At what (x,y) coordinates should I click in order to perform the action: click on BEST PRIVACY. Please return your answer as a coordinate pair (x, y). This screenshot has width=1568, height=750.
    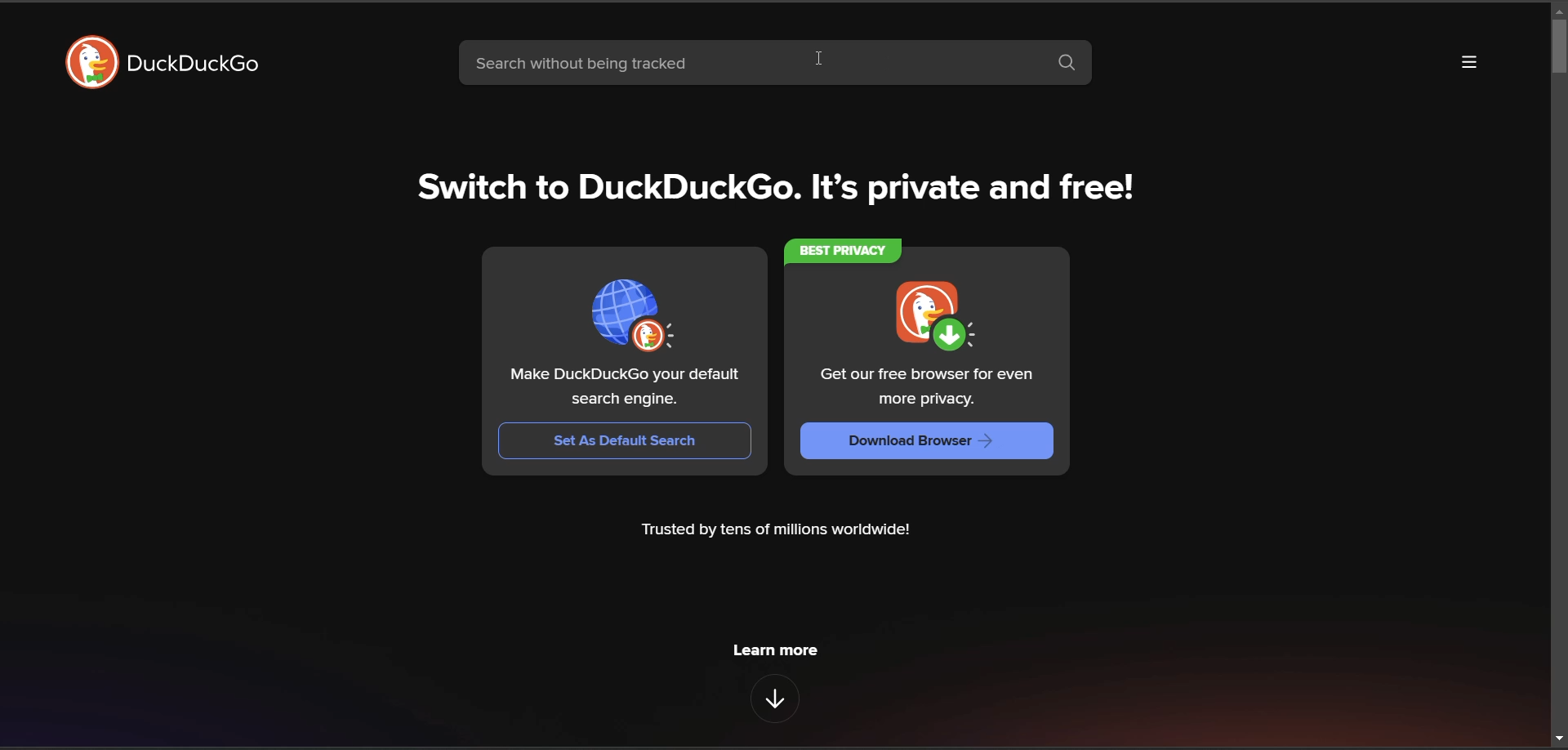
    Looking at the image, I should click on (841, 252).